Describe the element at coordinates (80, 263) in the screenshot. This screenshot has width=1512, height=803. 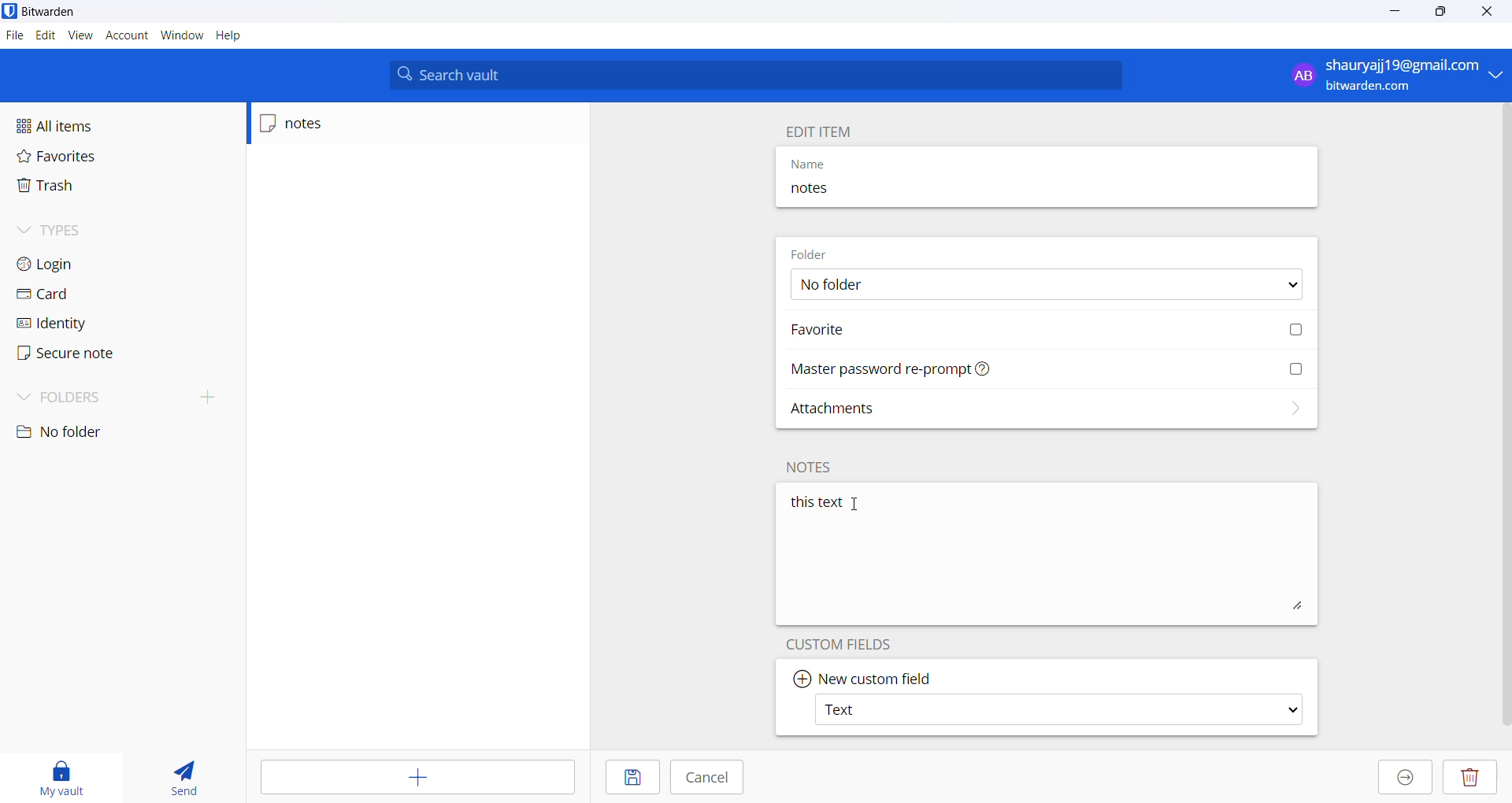
I see `login` at that location.